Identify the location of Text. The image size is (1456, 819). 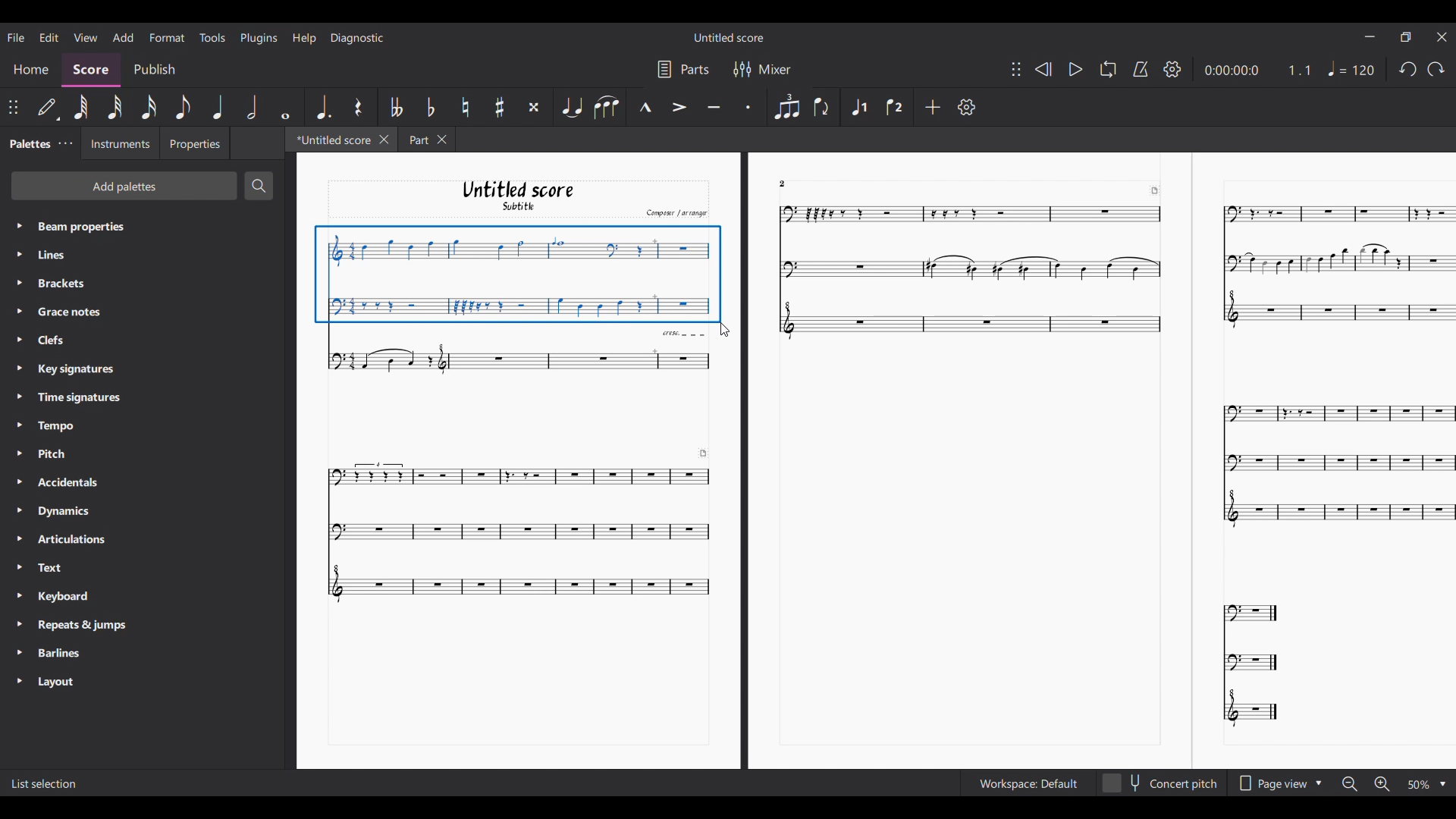
(71, 567).